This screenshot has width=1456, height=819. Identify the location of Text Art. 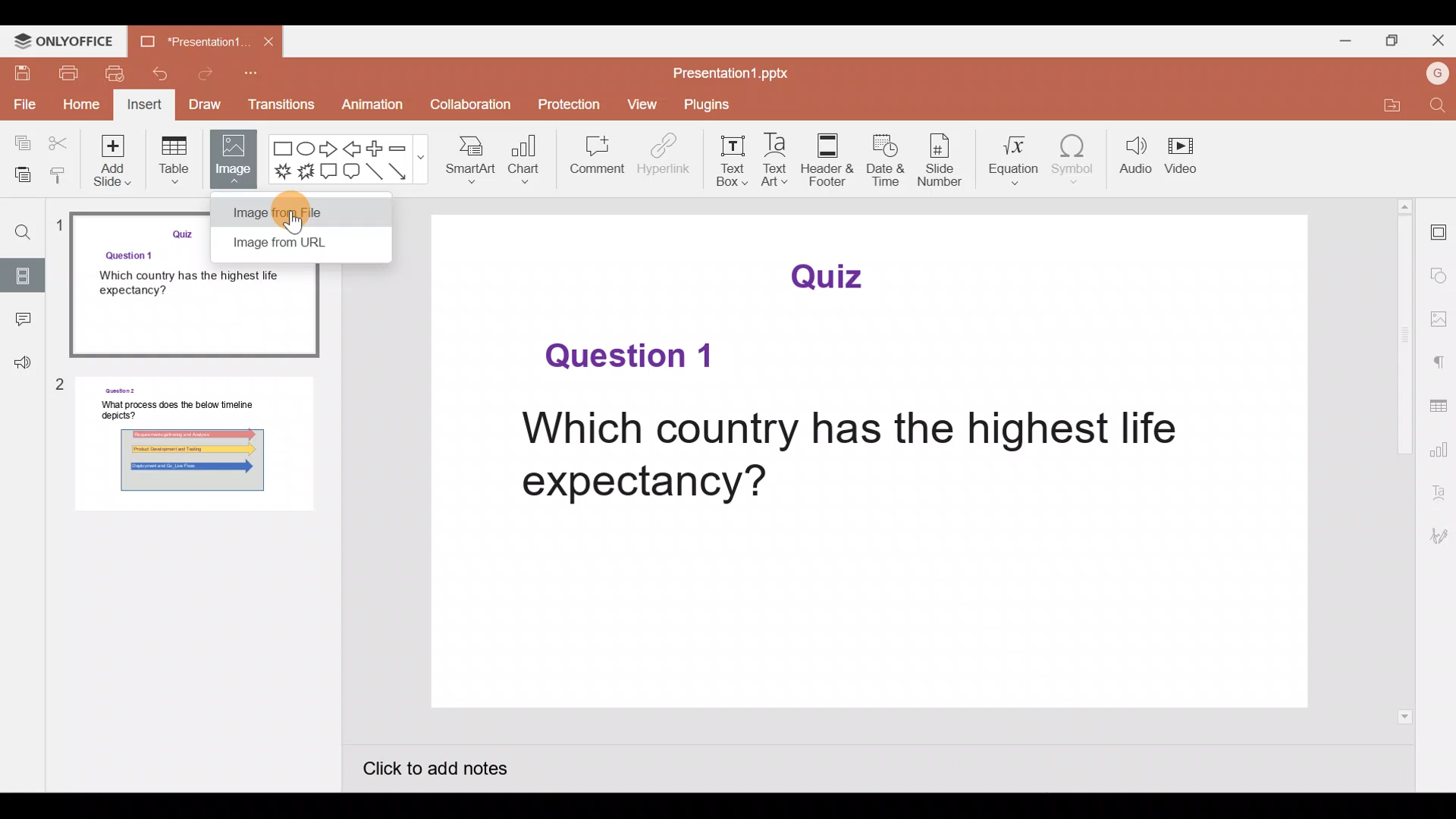
(777, 160).